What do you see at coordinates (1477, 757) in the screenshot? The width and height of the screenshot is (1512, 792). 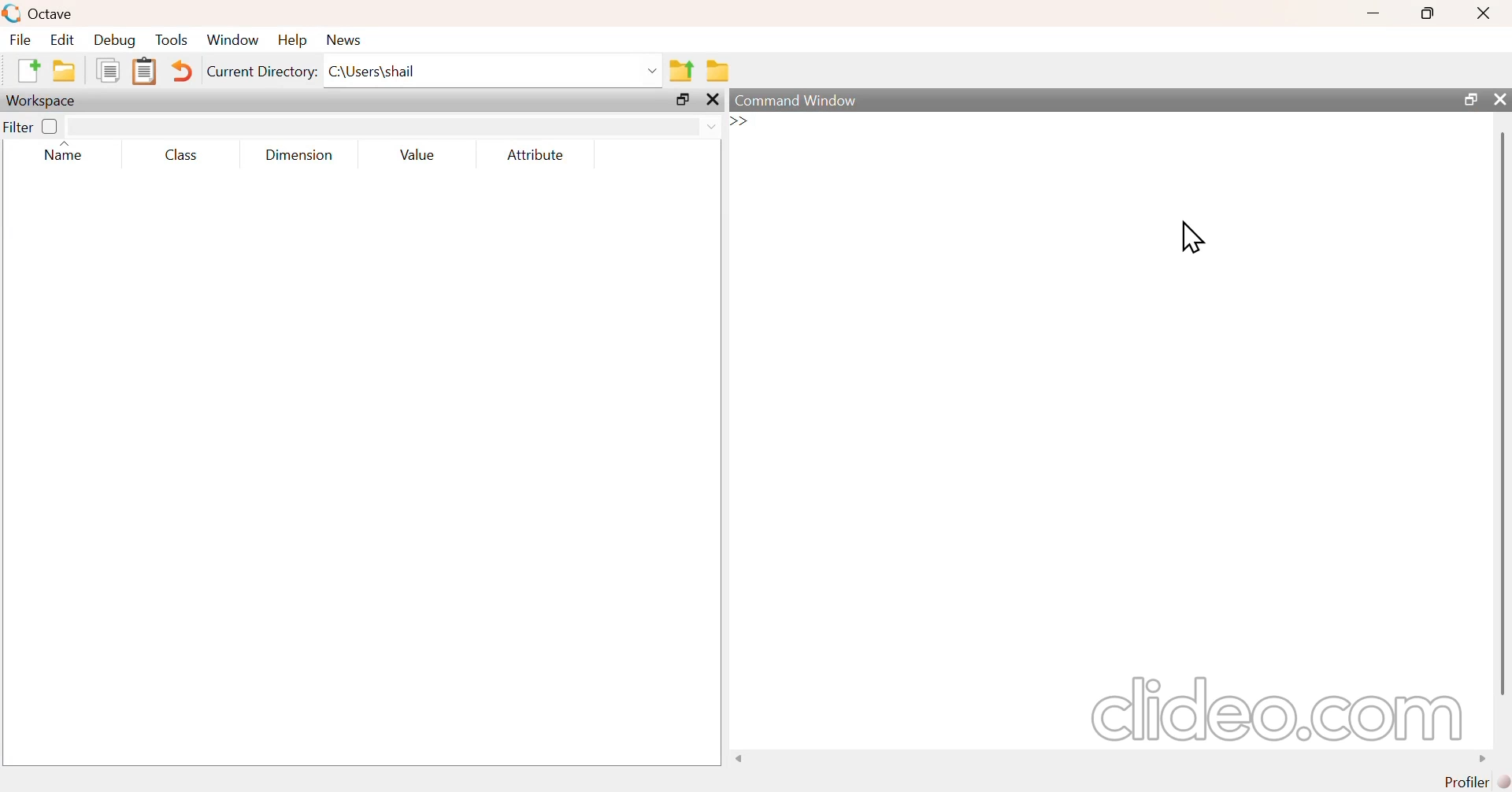 I see `move right` at bounding box center [1477, 757].